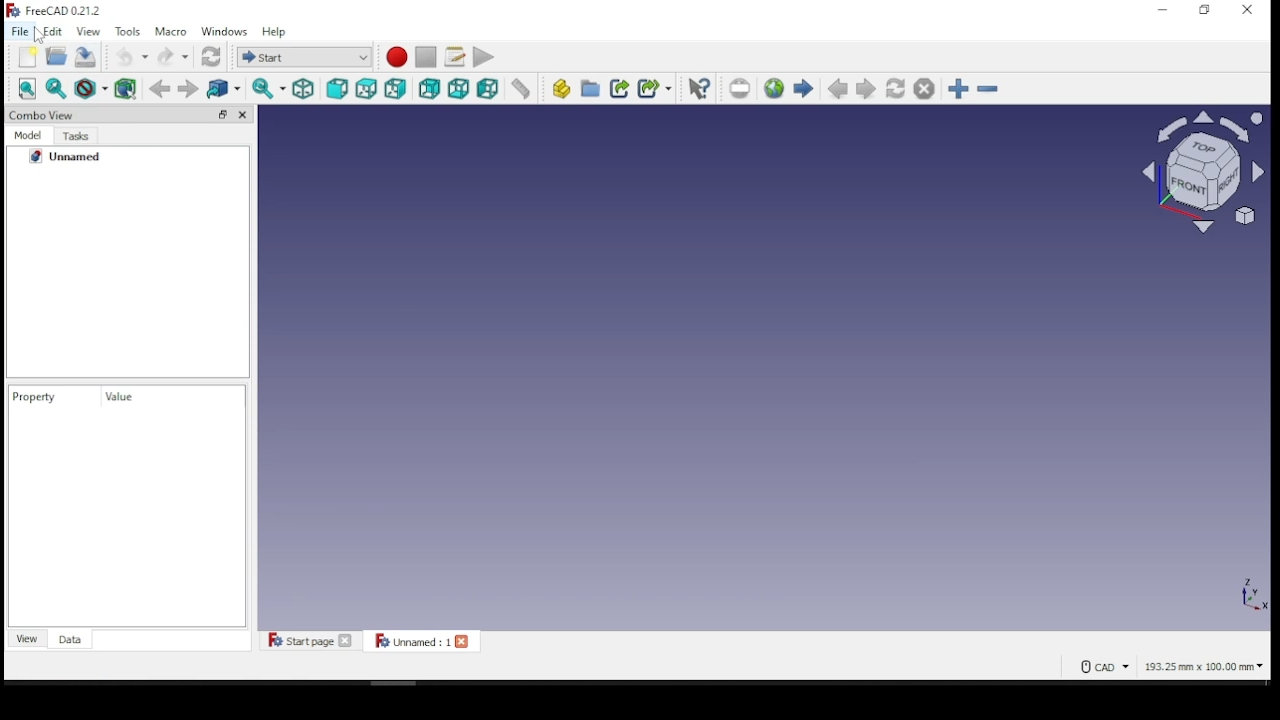 This screenshot has height=720, width=1280. Describe the element at coordinates (429, 88) in the screenshot. I see `rear` at that location.